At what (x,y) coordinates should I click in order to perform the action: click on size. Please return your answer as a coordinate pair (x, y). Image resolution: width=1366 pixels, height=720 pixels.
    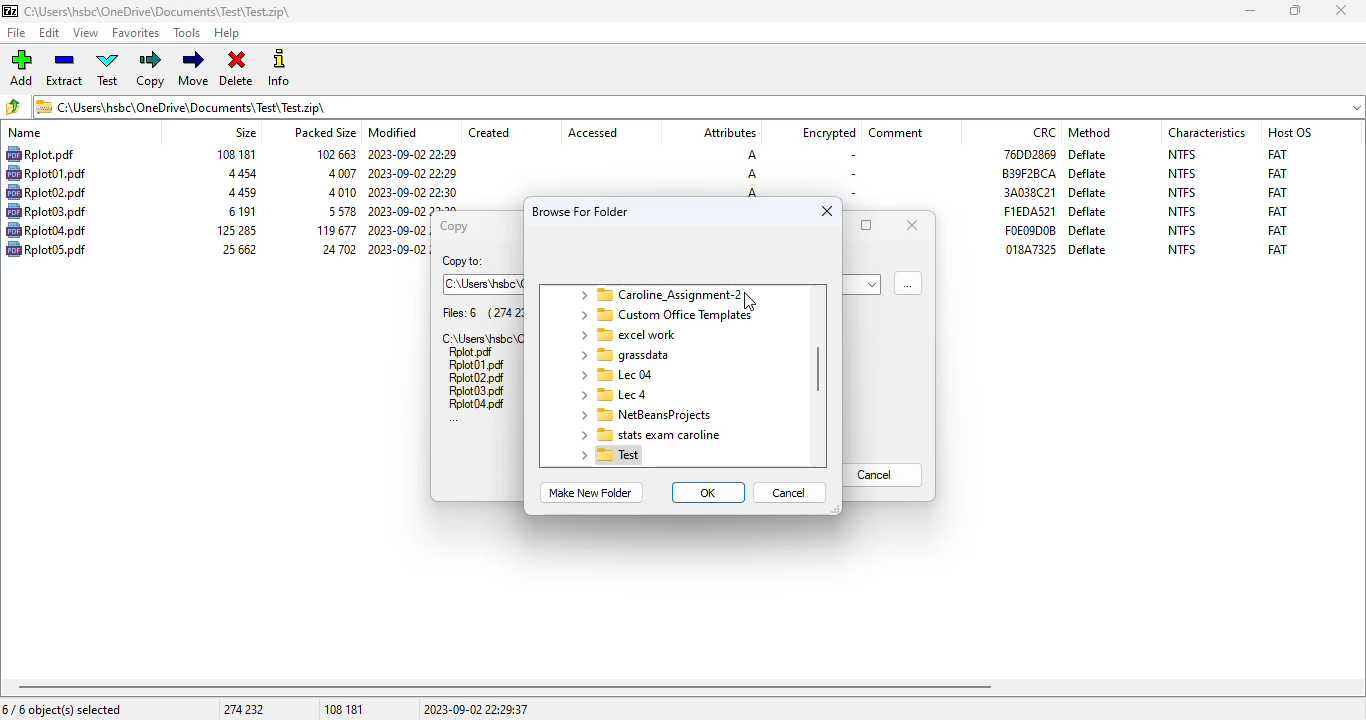
    Looking at the image, I should click on (235, 154).